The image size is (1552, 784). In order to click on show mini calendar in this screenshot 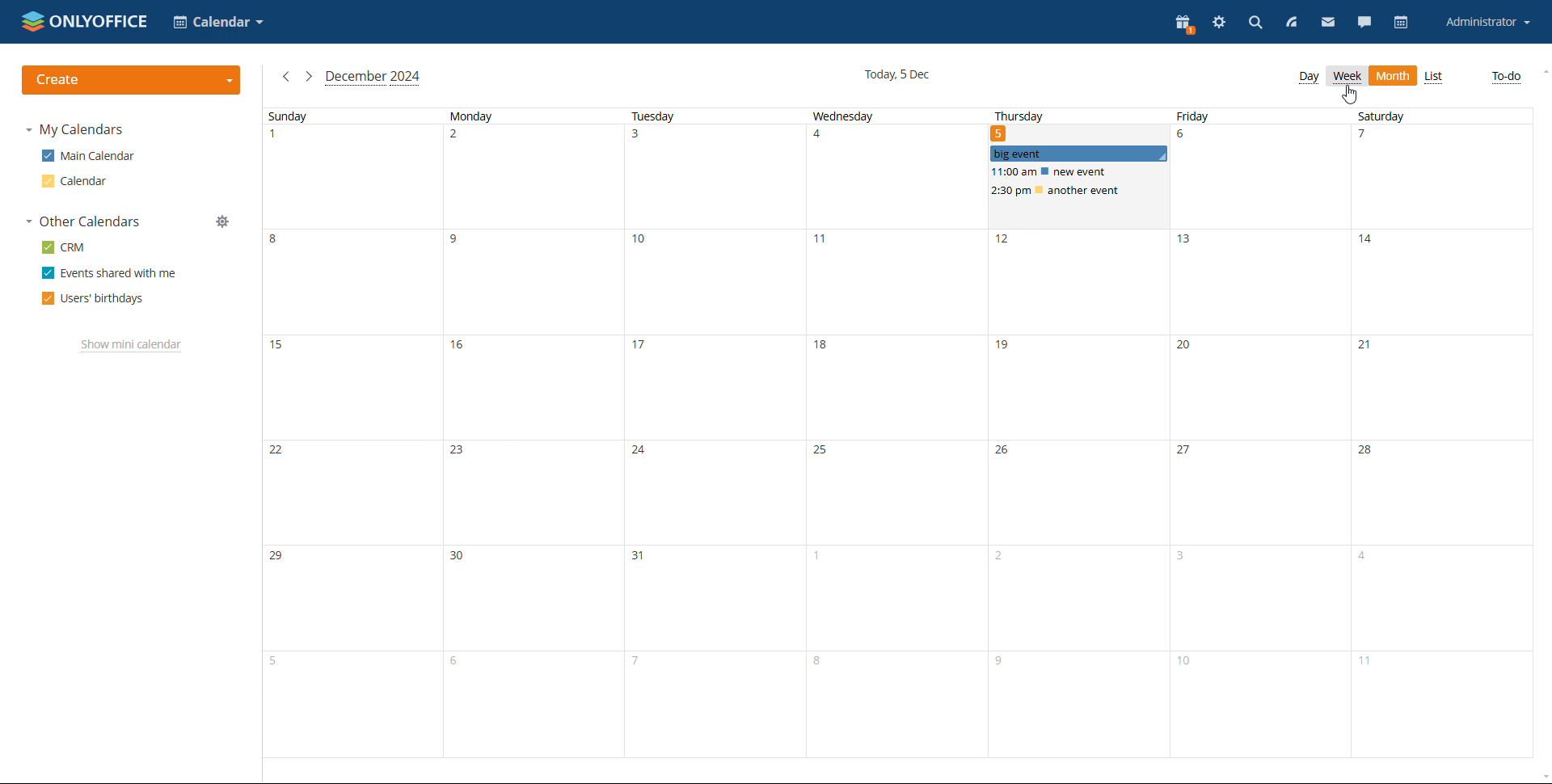, I will do `click(132, 345)`.